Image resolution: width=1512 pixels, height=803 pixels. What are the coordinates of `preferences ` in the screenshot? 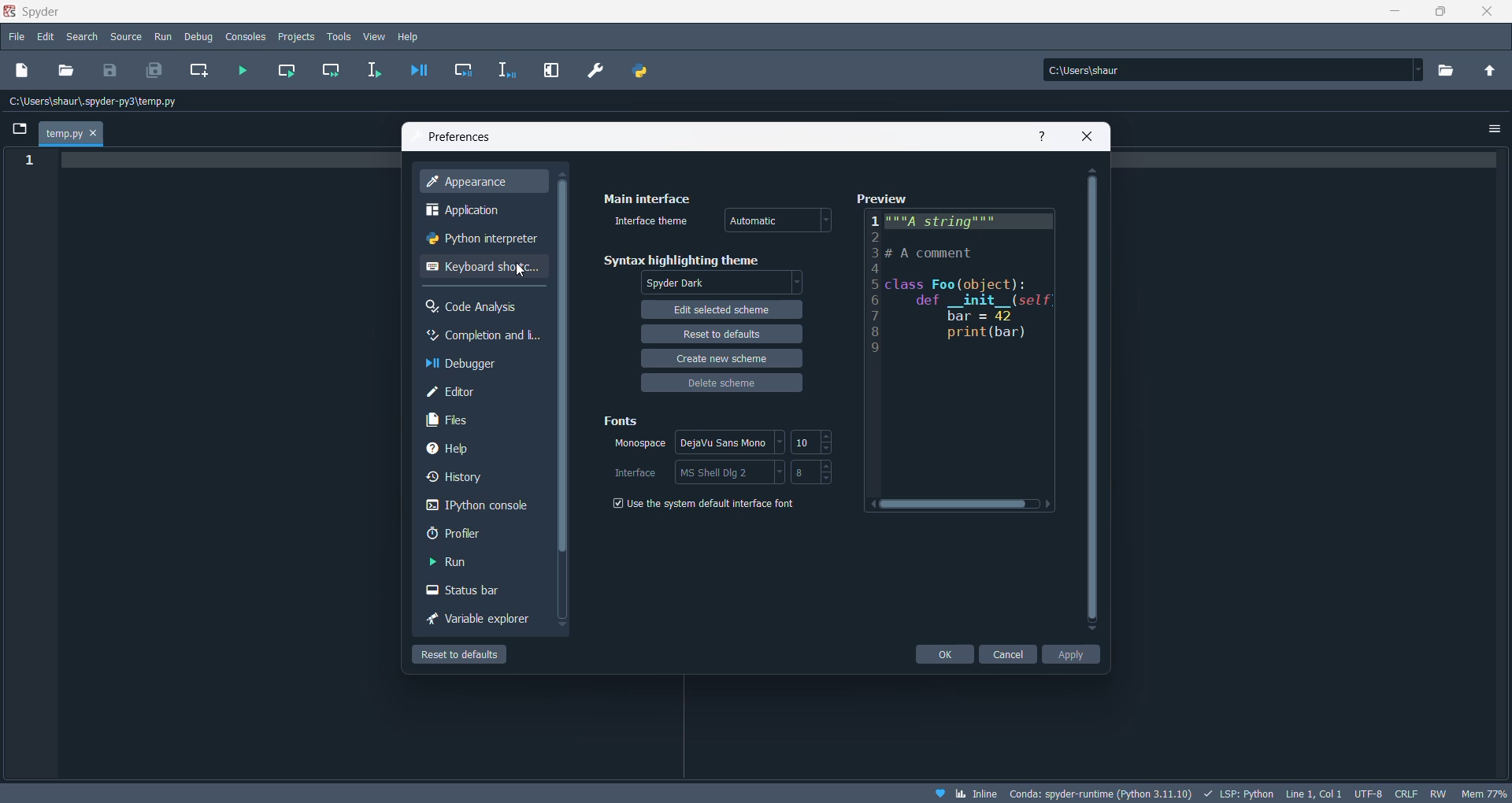 It's located at (464, 137).